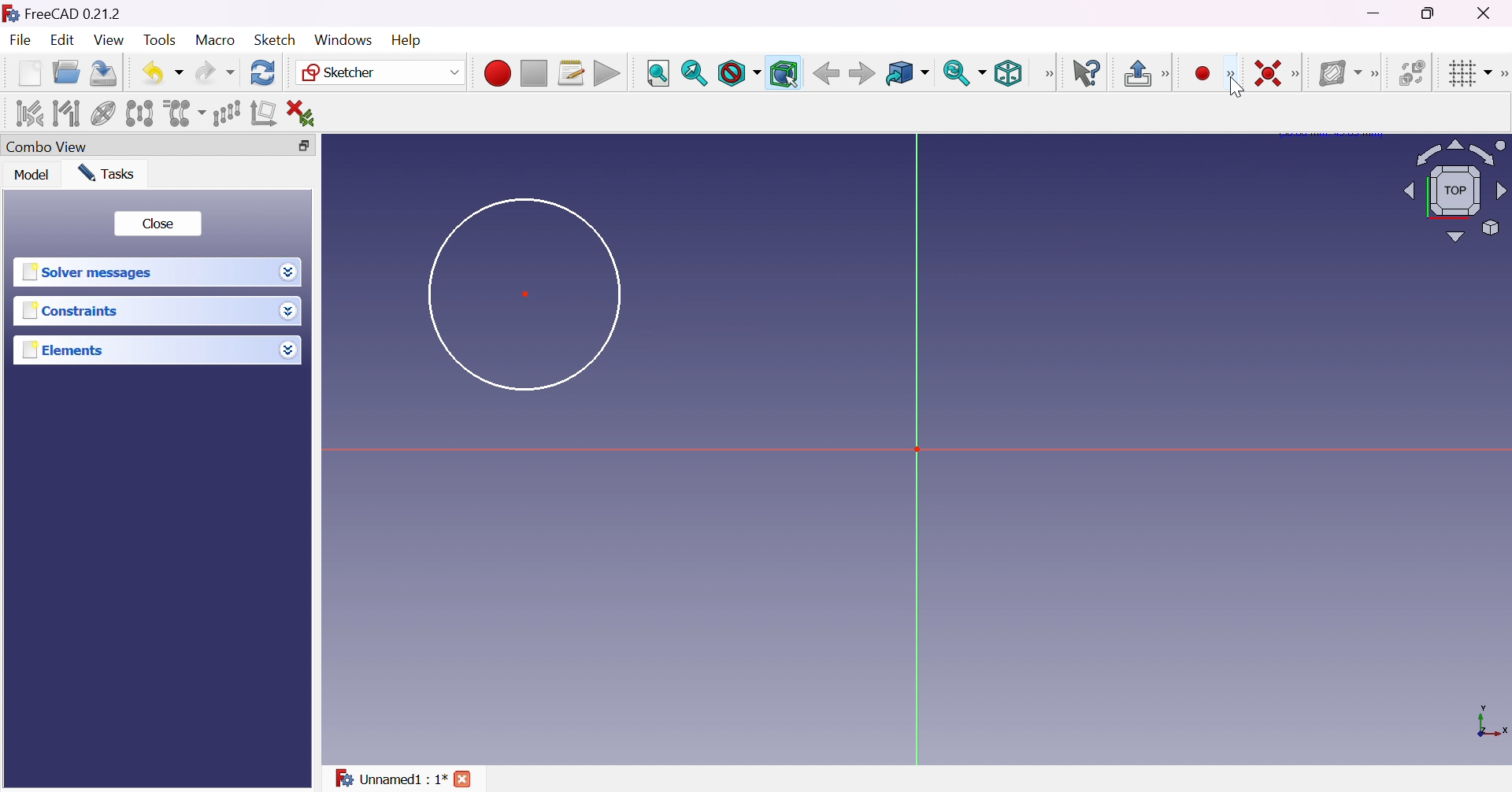 The image size is (1512, 792). I want to click on Select associated constraints, so click(27, 113).